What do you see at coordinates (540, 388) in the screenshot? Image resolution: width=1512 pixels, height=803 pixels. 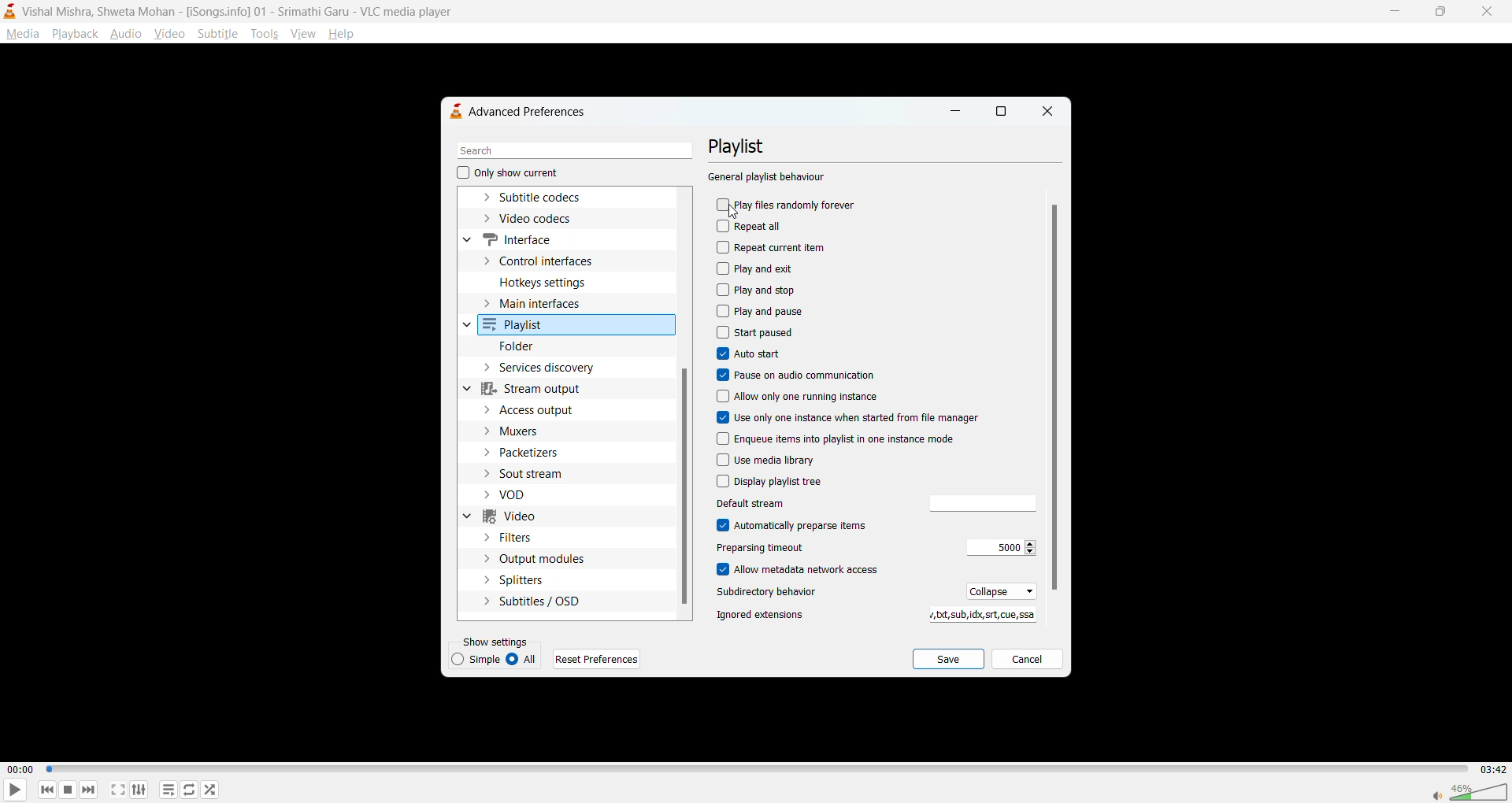 I see `stream  output` at bounding box center [540, 388].